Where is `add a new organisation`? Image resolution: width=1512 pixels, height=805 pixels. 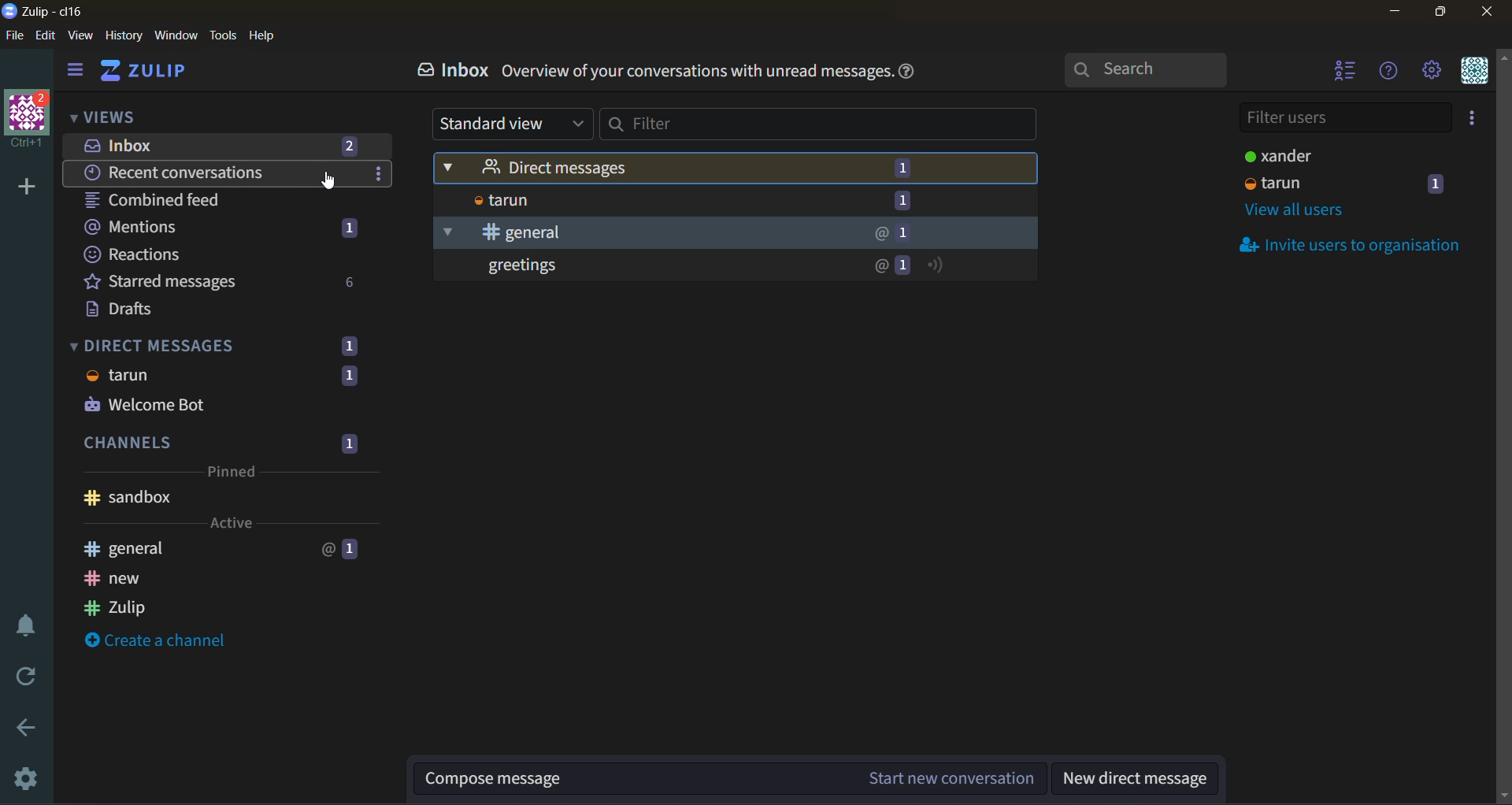 add a new organisation is located at coordinates (27, 189).